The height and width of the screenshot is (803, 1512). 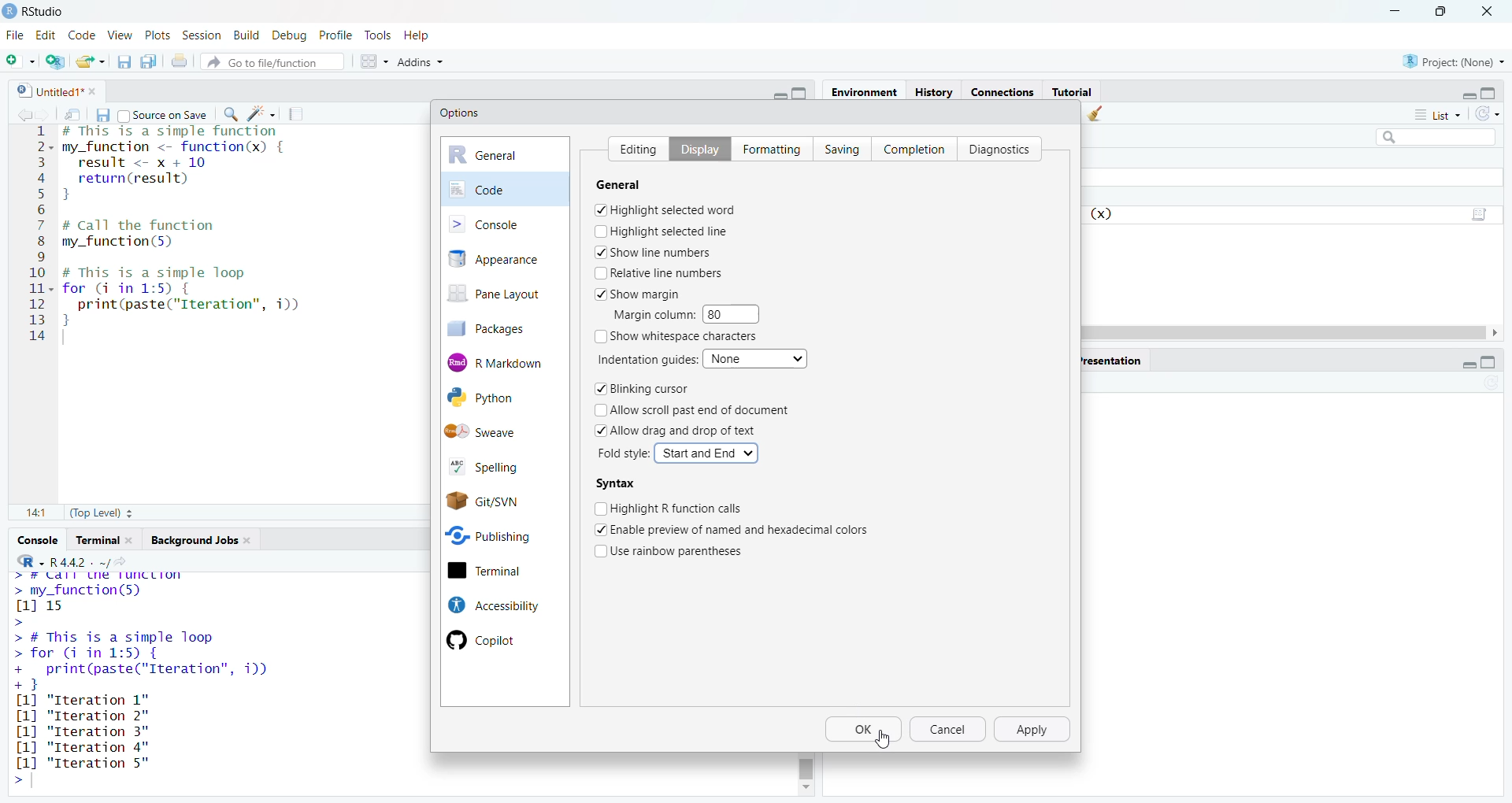 What do you see at coordinates (654, 252) in the screenshot?
I see `show line numbers` at bounding box center [654, 252].